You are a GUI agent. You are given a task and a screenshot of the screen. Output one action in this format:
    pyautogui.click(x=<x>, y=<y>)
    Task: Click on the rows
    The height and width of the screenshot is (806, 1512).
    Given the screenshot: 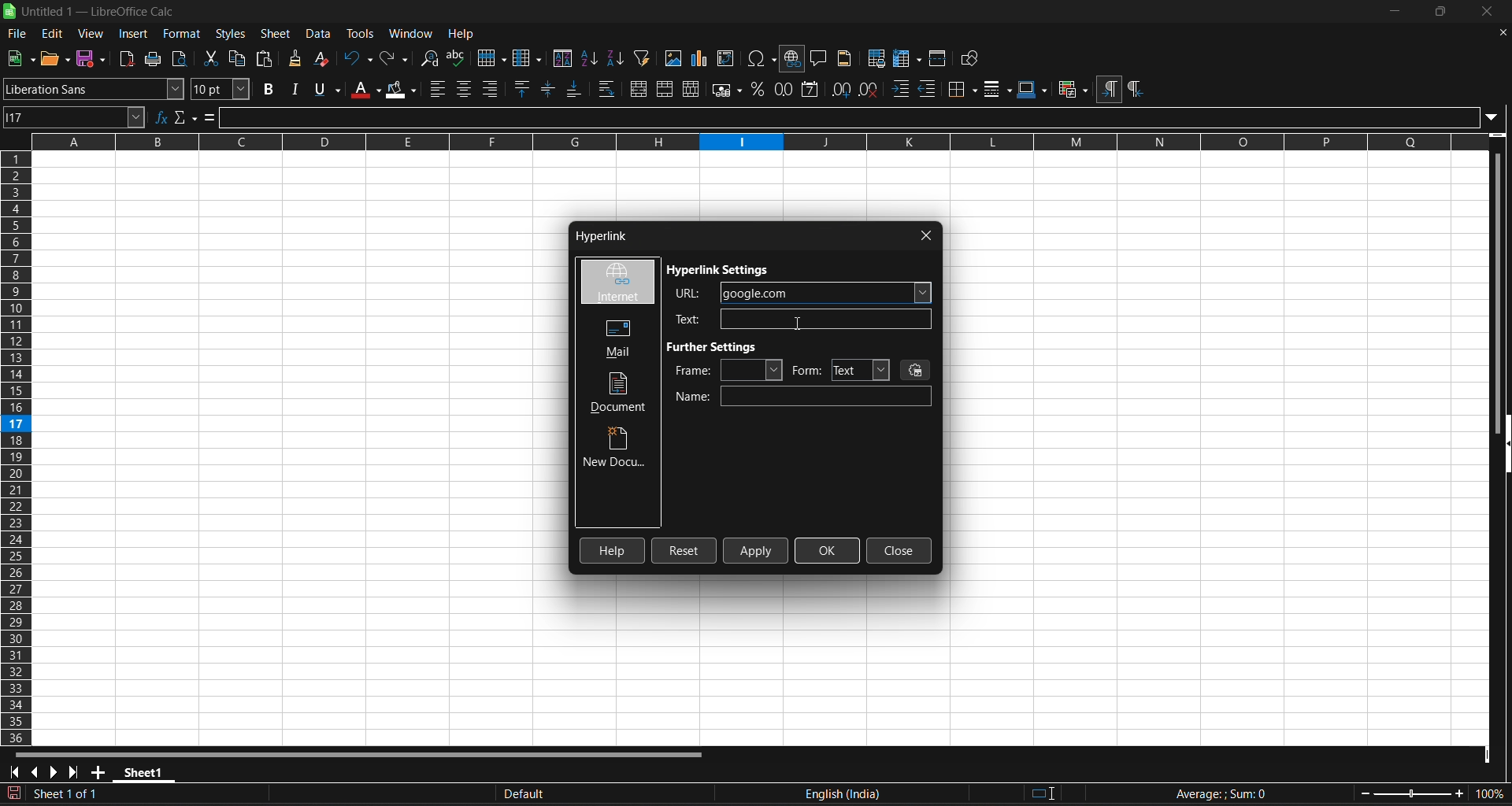 What is the action you would take?
    pyautogui.click(x=749, y=147)
    